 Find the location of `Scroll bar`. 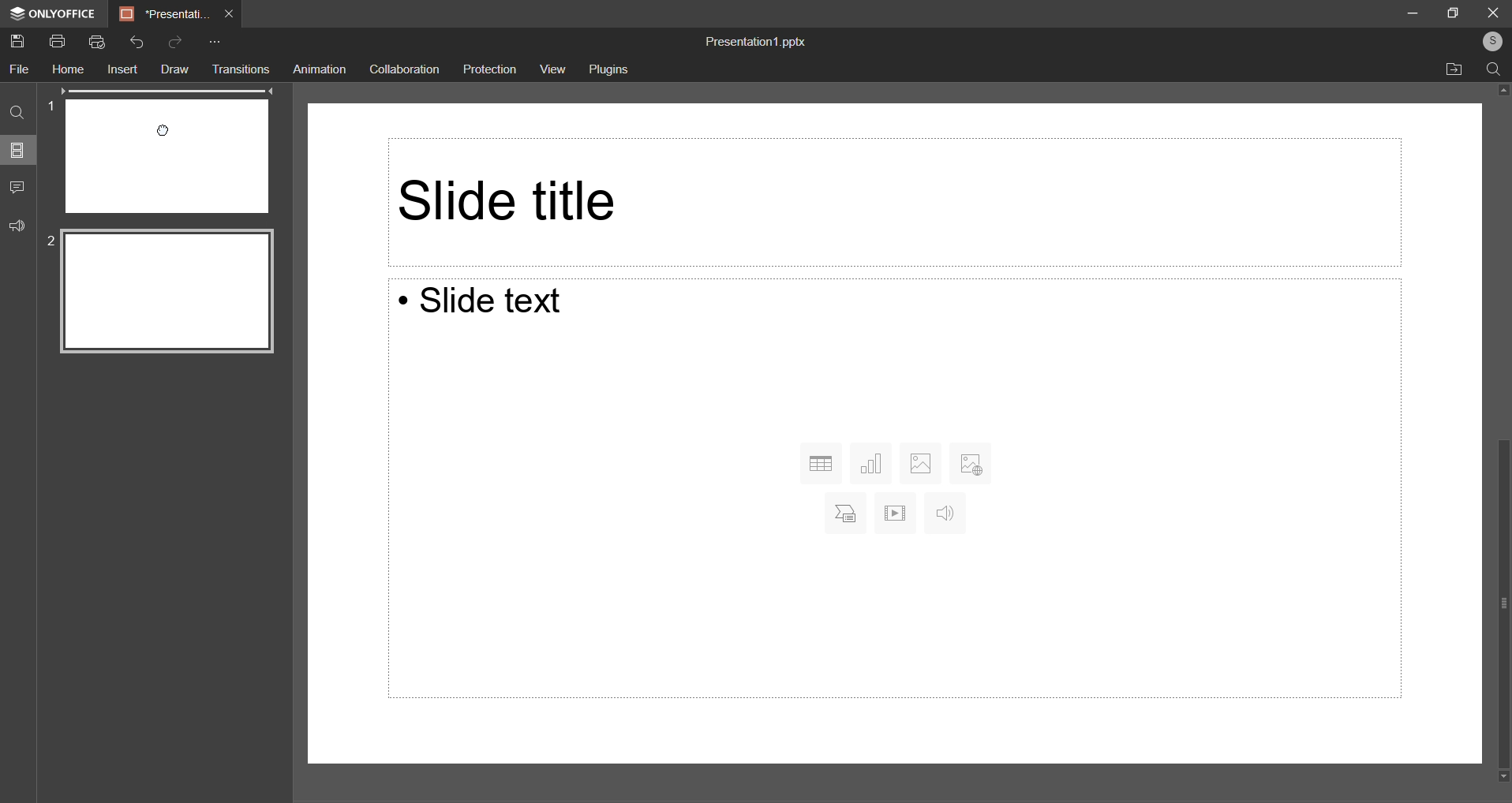

Scroll bar is located at coordinates (1495, 599).